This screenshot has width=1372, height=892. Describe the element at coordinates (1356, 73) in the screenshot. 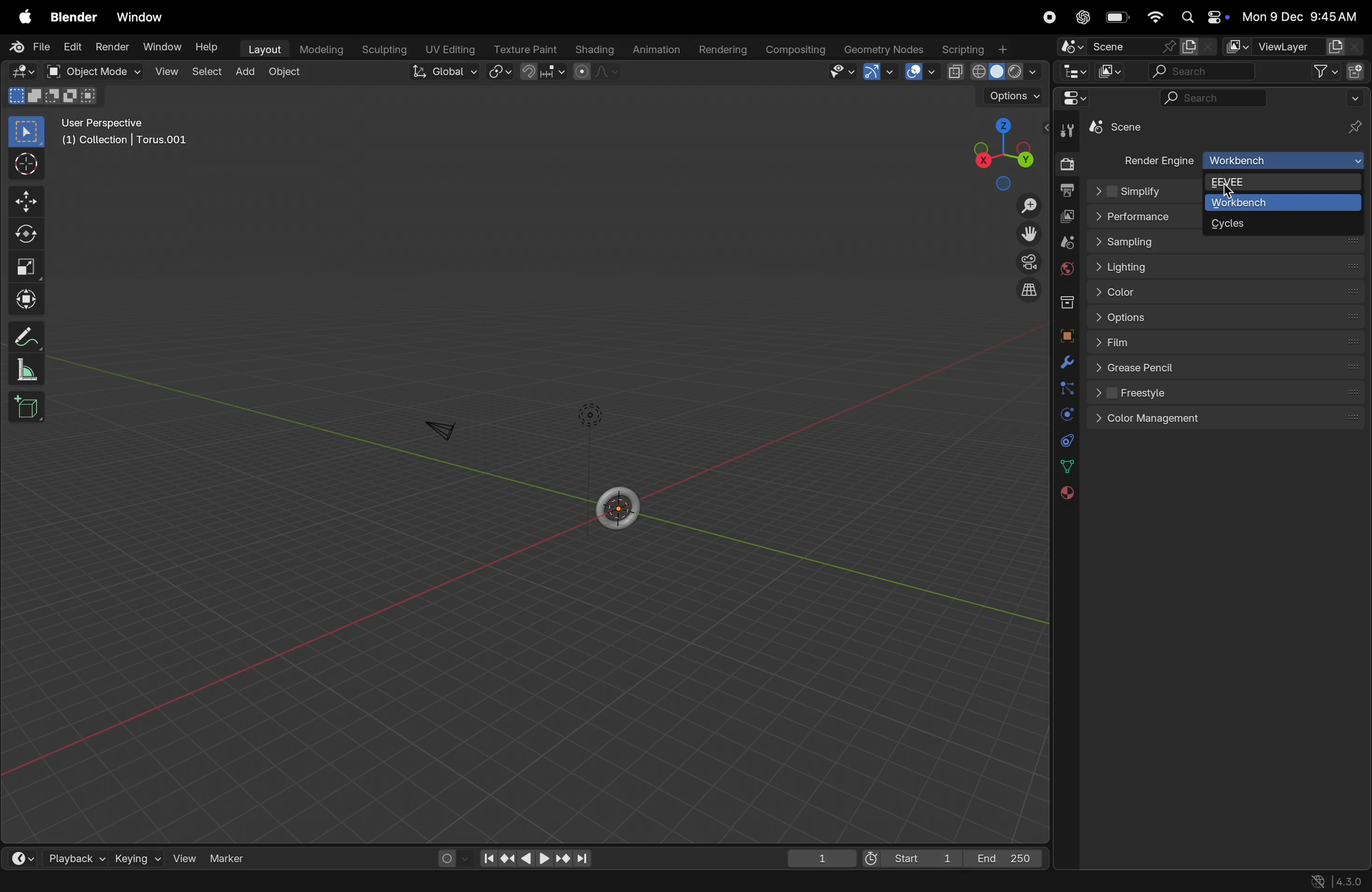

I see `new collection` at that location.